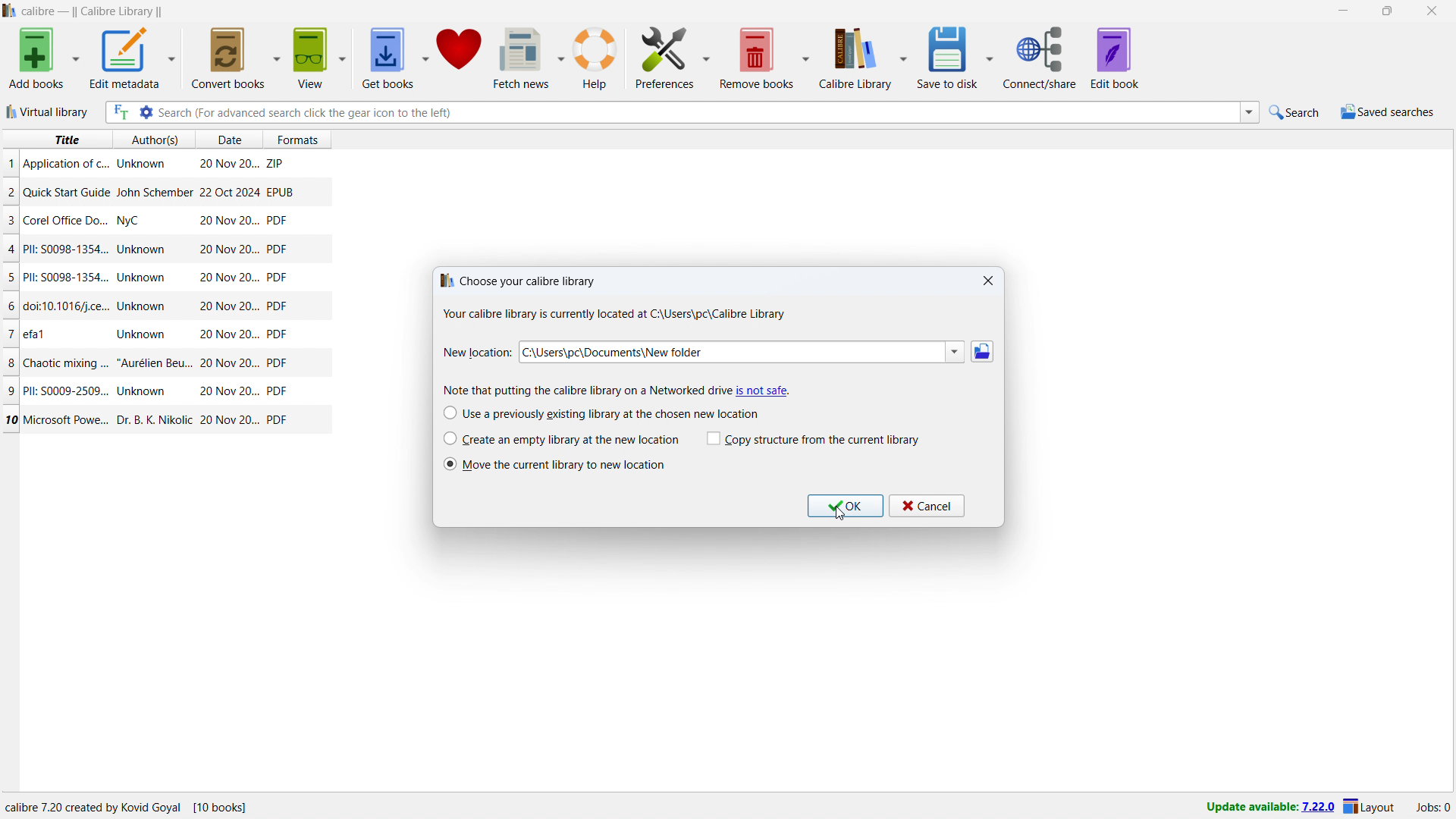 The height and width of the screenshot is (819, 1456). Describe the element at coordinates (229, 278) in the screenshot. I see `Date` at that location.